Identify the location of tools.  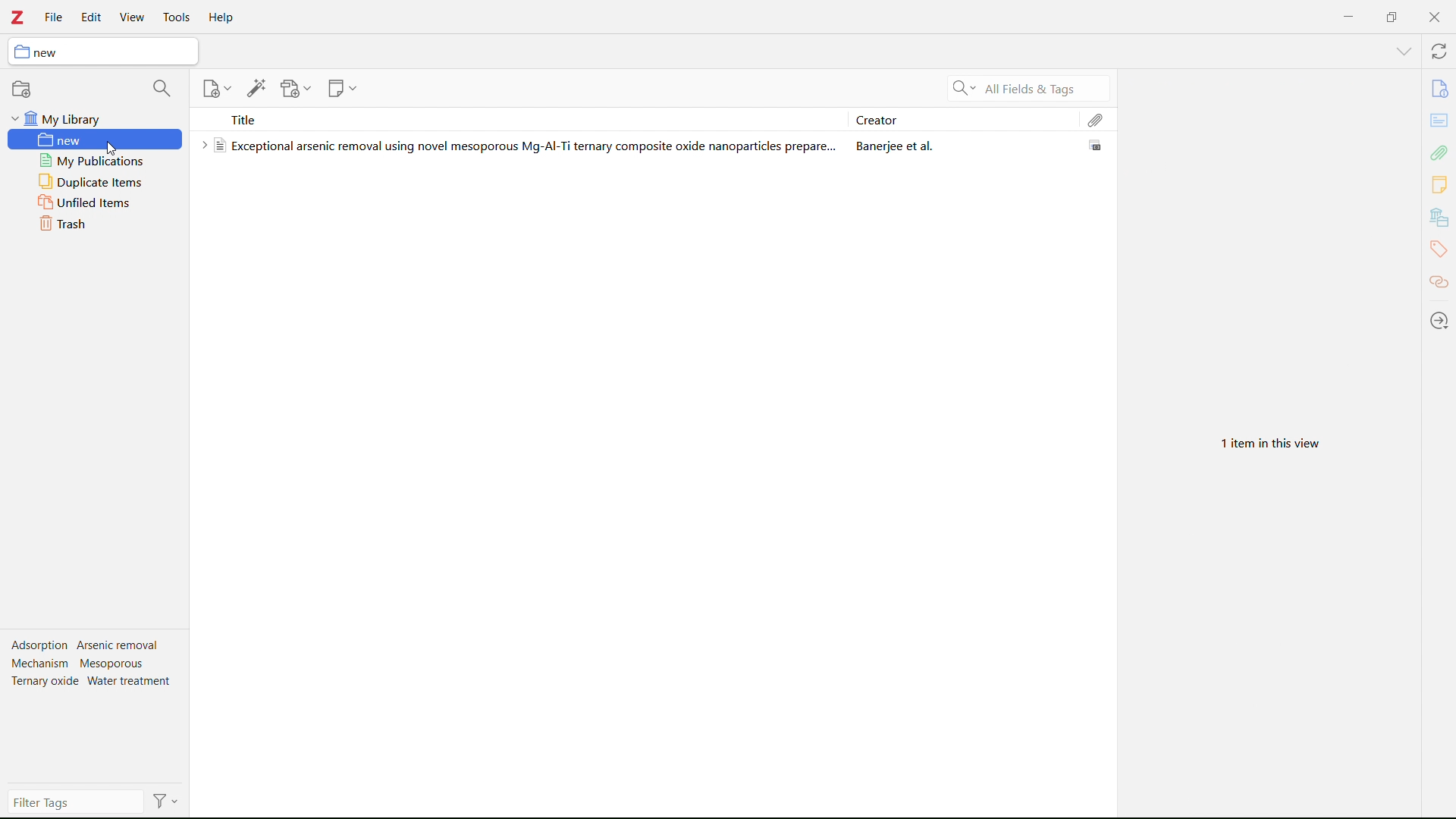
(177, 17).